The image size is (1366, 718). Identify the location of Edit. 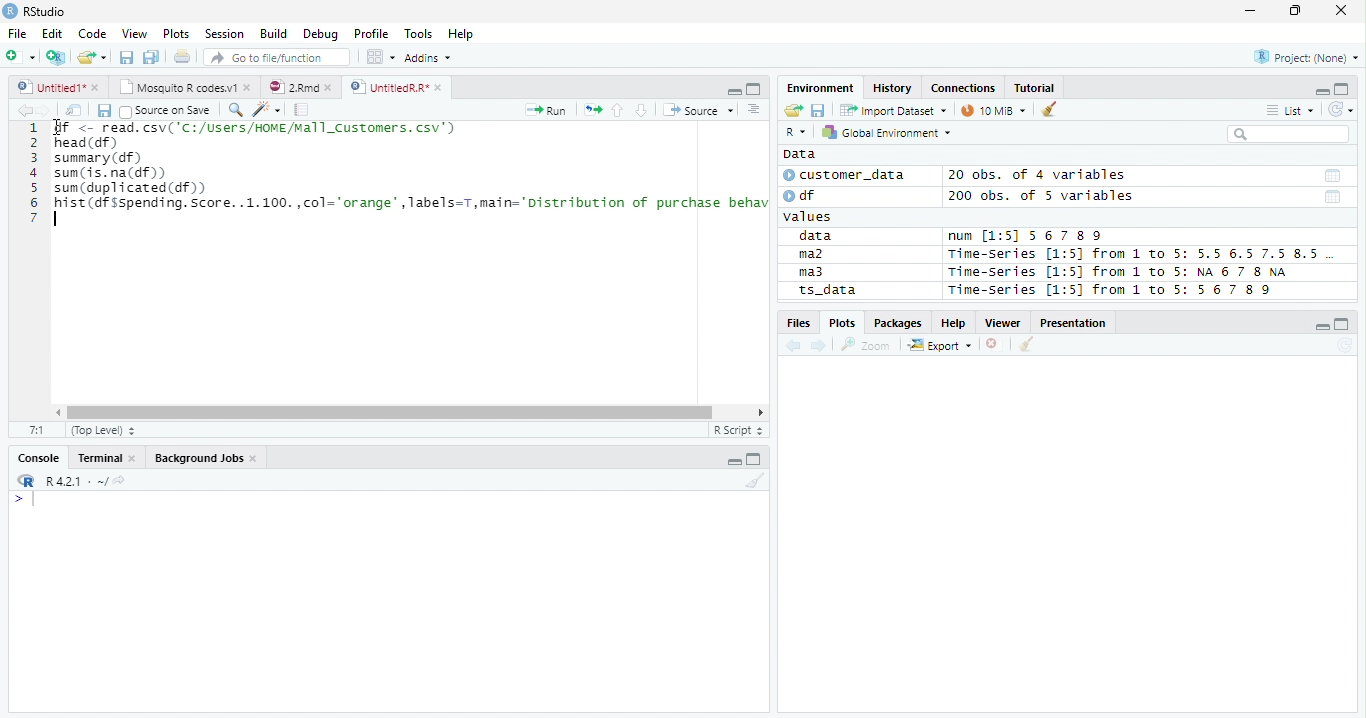
(51, 32).